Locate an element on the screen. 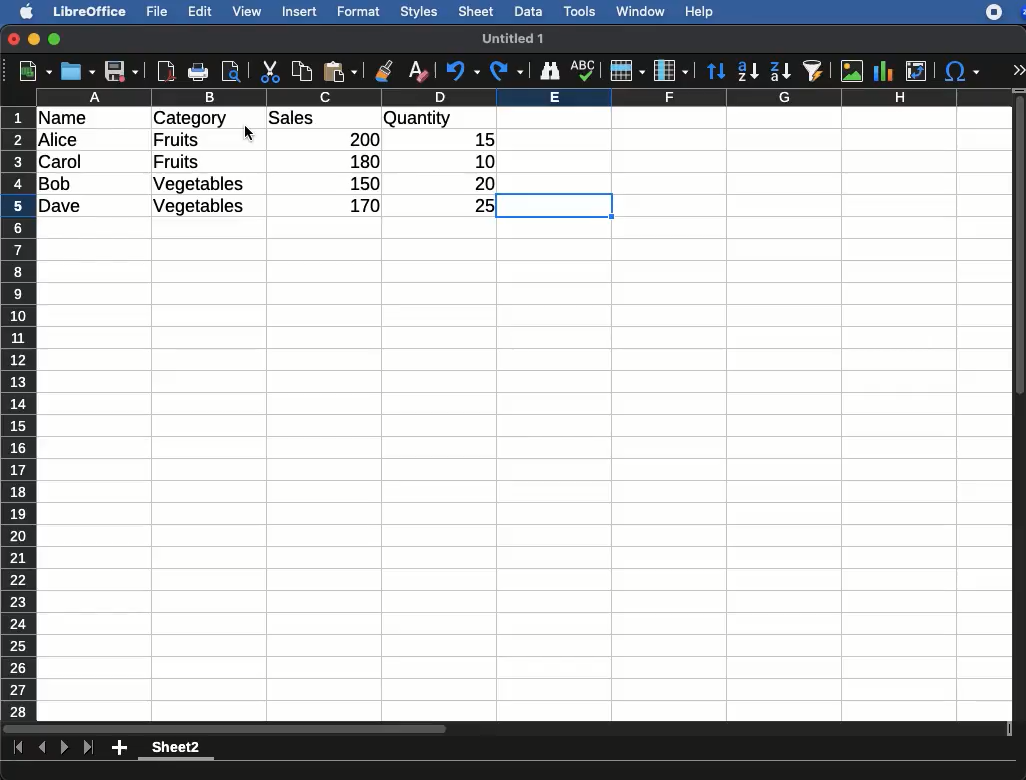 The width and height of the screenshot is (1026, 780). styles is located at coordinates (417, 14).